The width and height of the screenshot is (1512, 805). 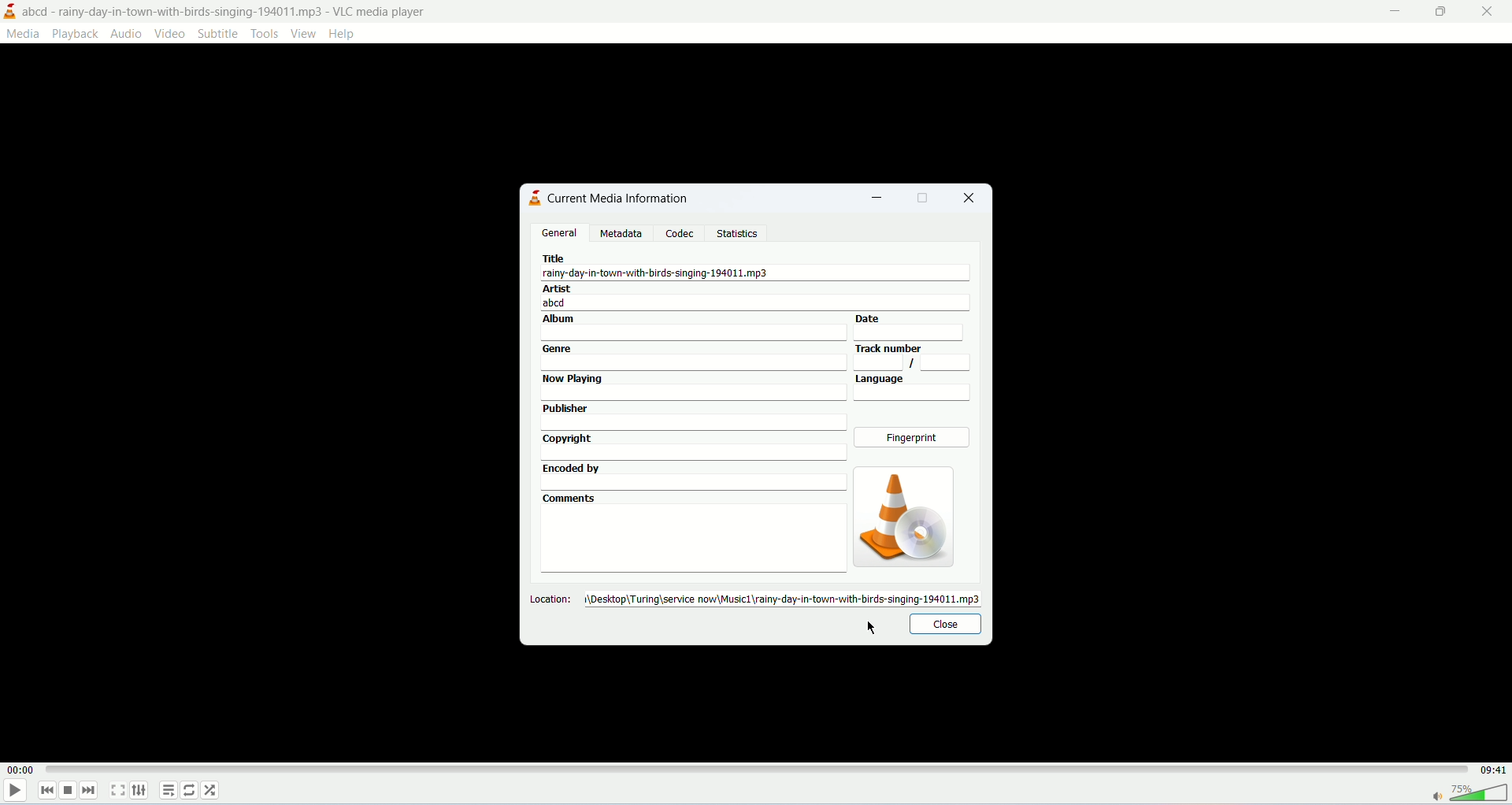 What do you see at coordinates (69, 788) in the screenshot?
I see `stop` at bounding box center [69, 788].